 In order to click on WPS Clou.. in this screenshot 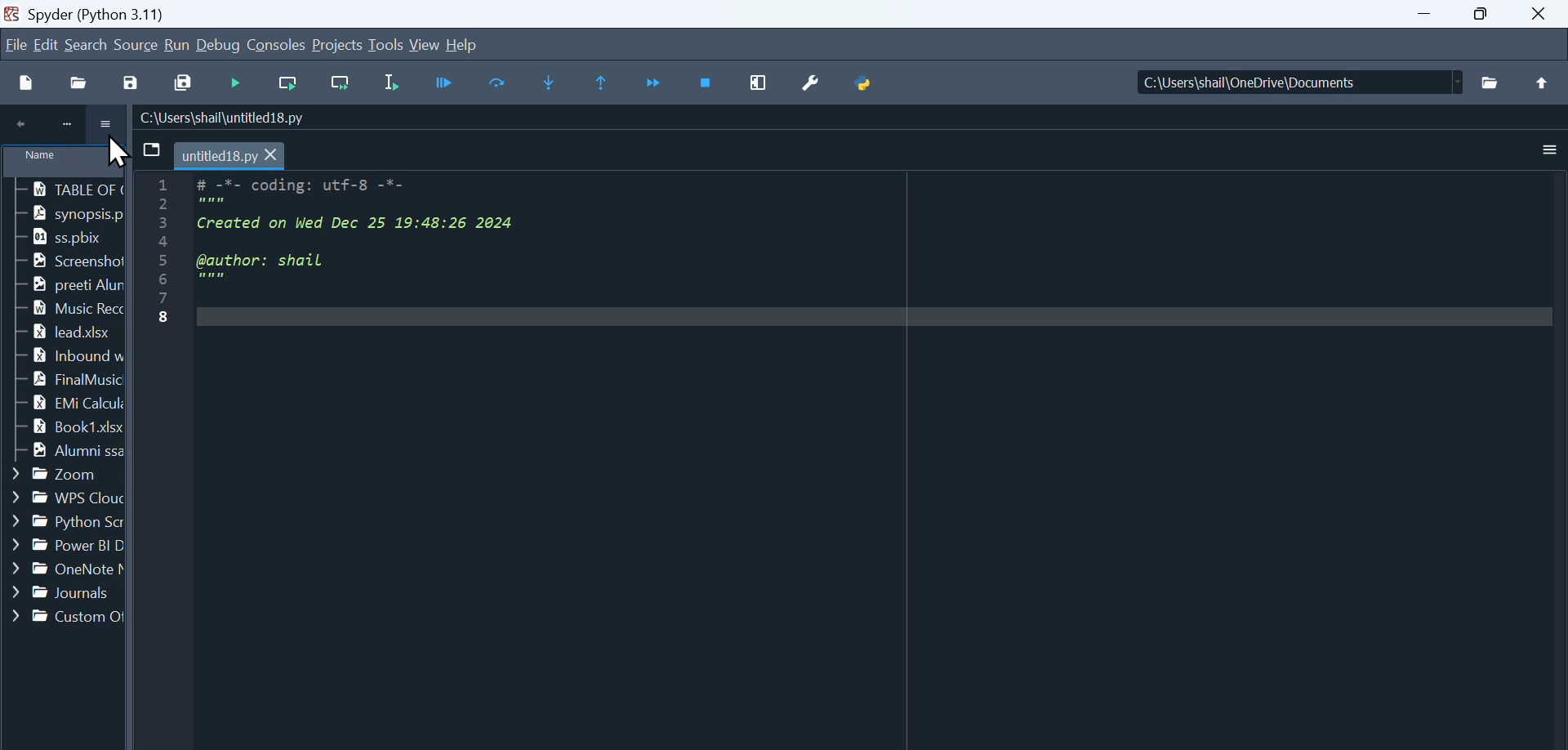, I will do `click(60, 495)`.